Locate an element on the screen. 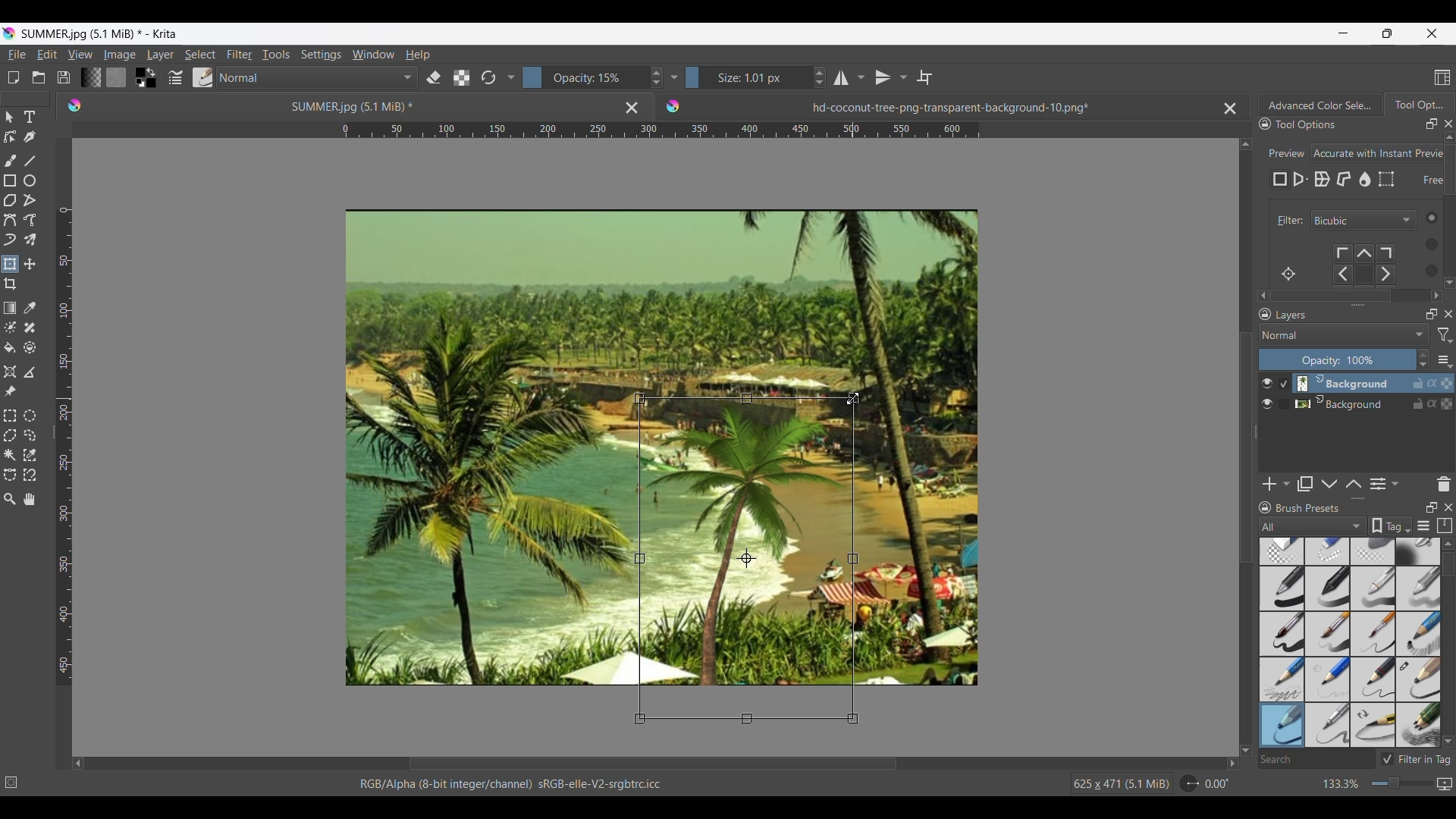 The image size is (1456, 819). Select is located at coordinates (200, 55).